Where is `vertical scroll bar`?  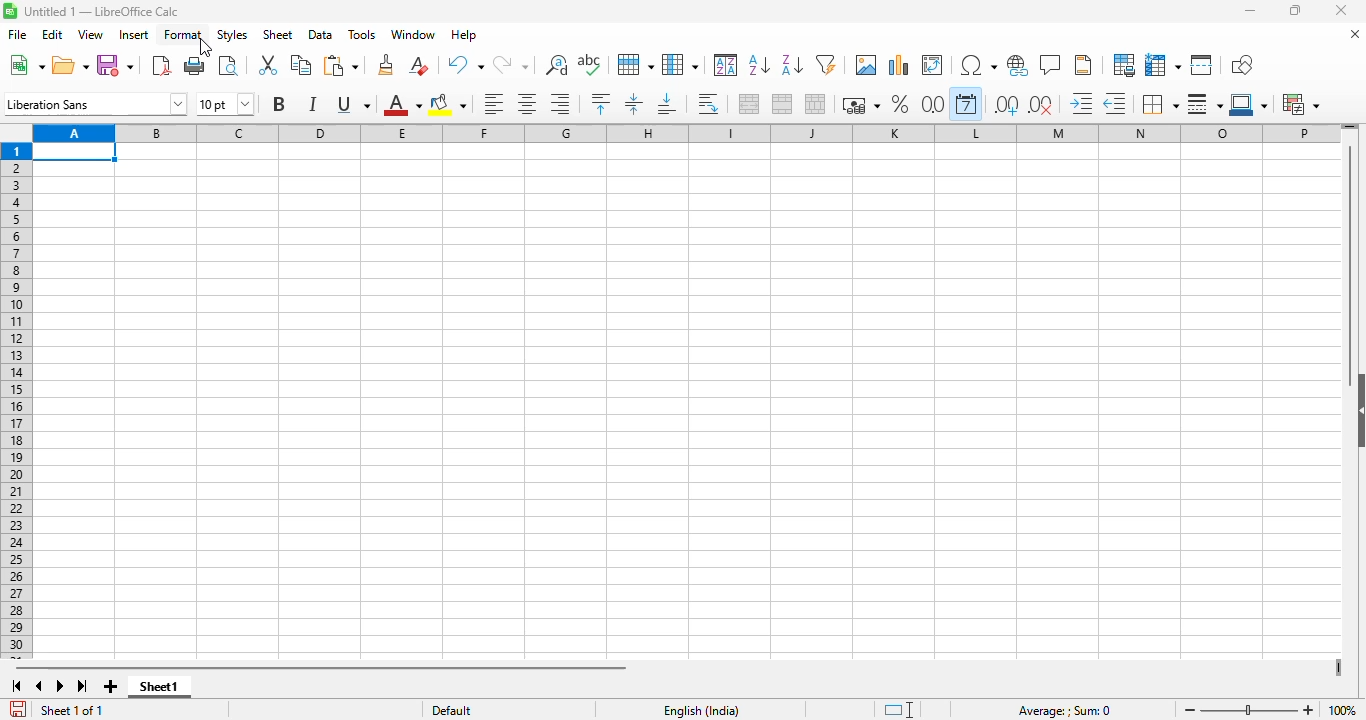 vertical scroll bar is located at coordinates (1351, 266).